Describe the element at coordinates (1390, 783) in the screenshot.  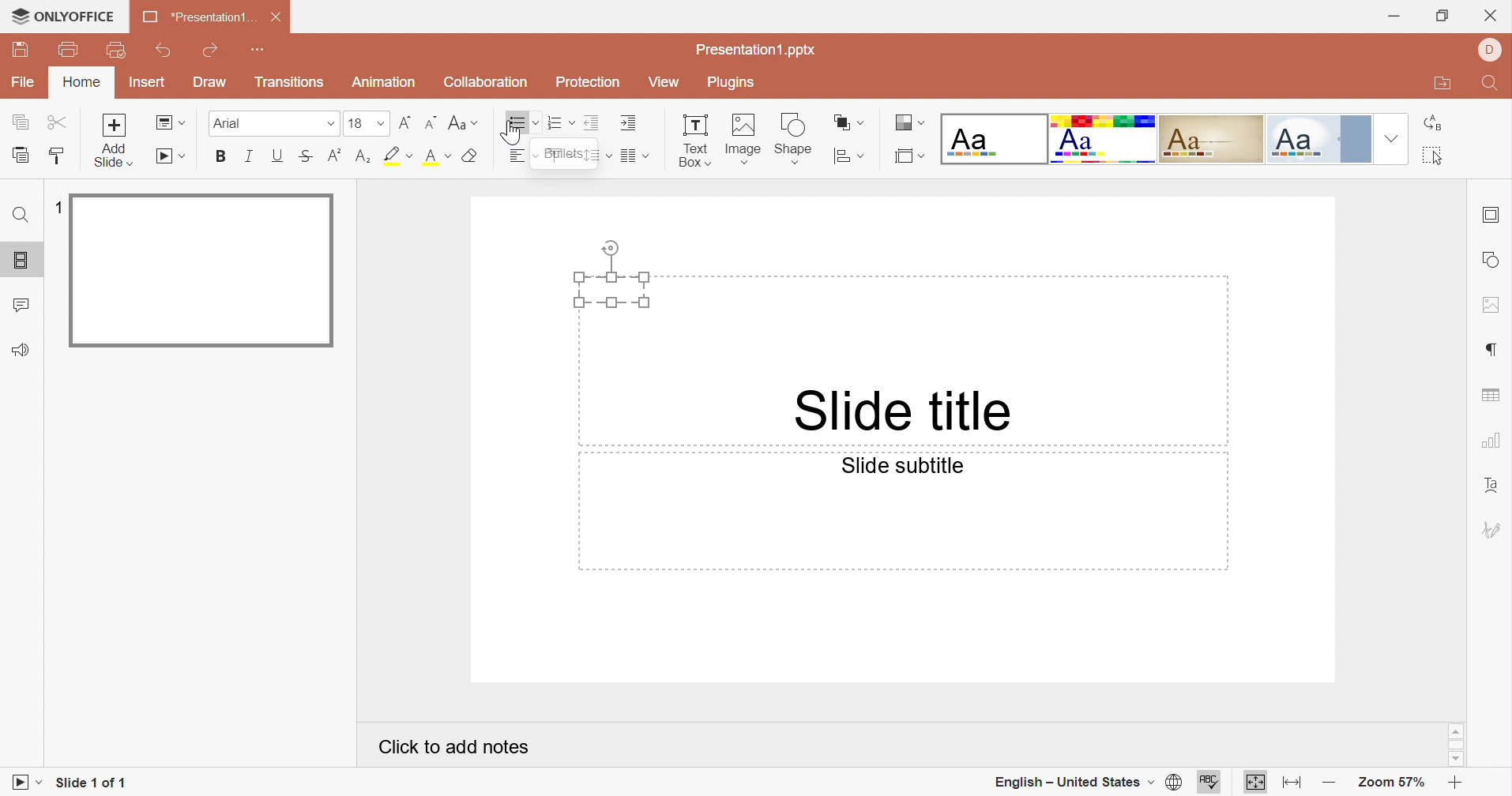
I see `Zoom 57%` at that location.